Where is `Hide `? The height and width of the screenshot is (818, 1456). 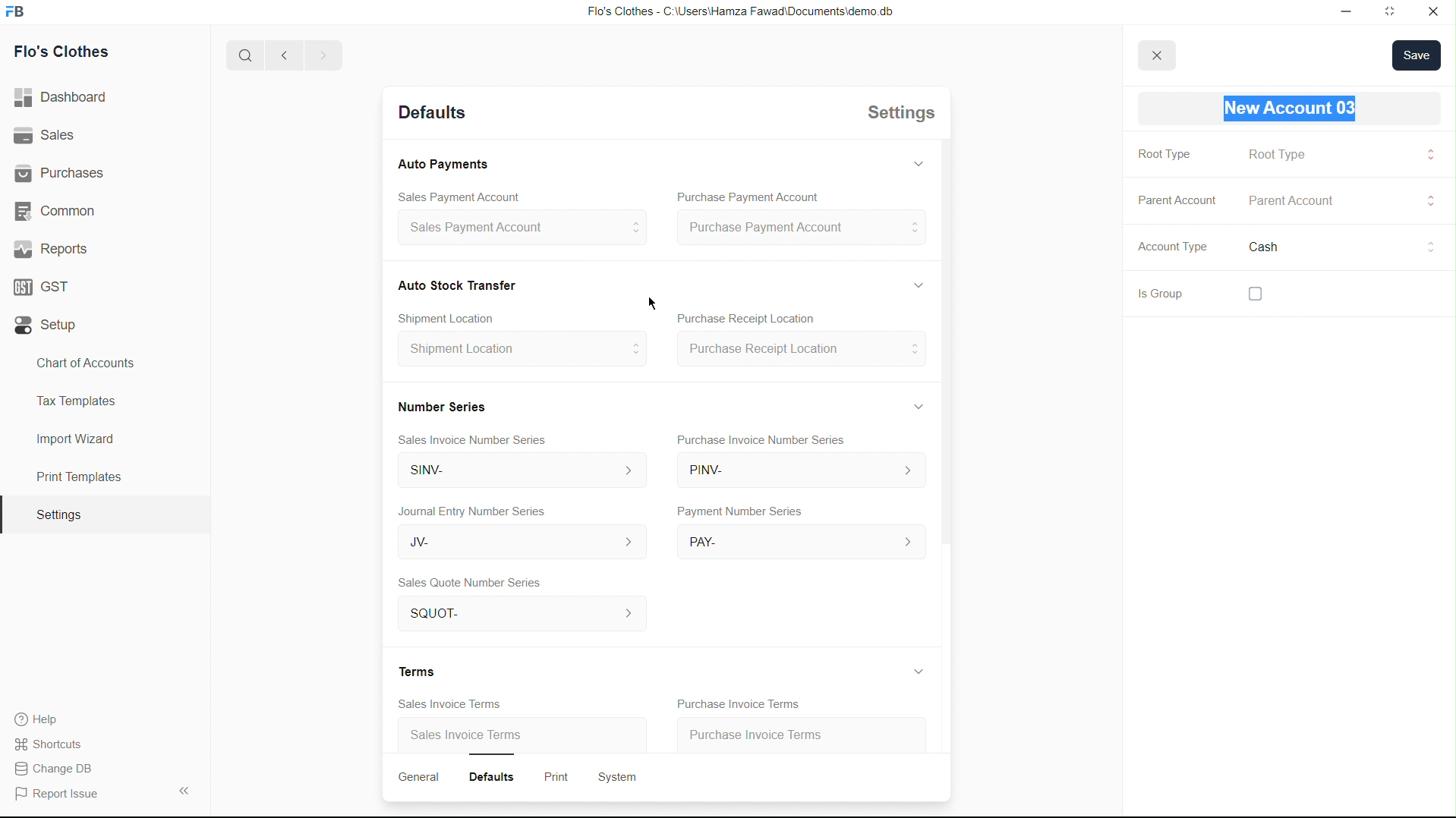 Hide  is located at coordinates (916, 671).